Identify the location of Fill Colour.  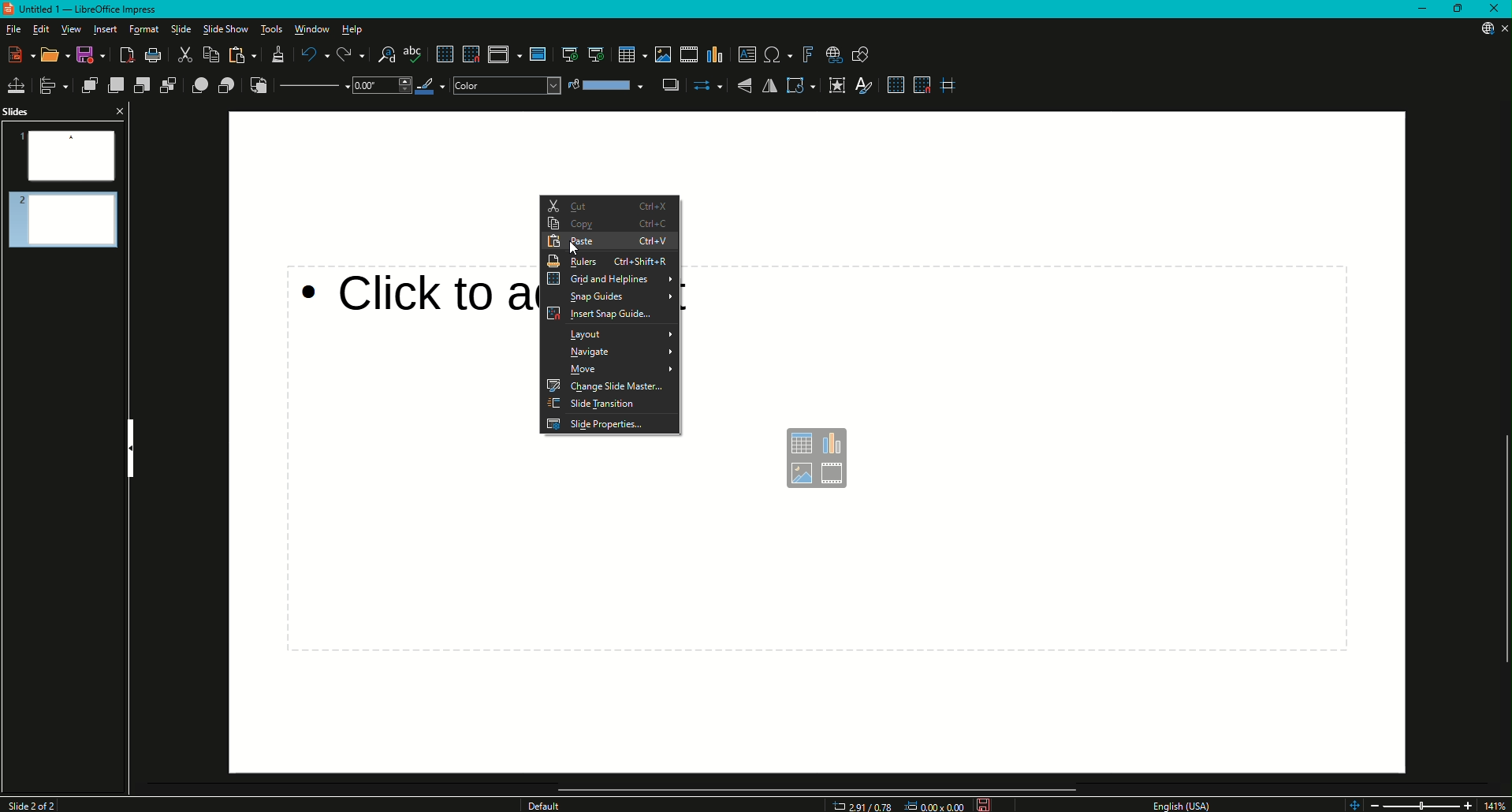
(607, 85).